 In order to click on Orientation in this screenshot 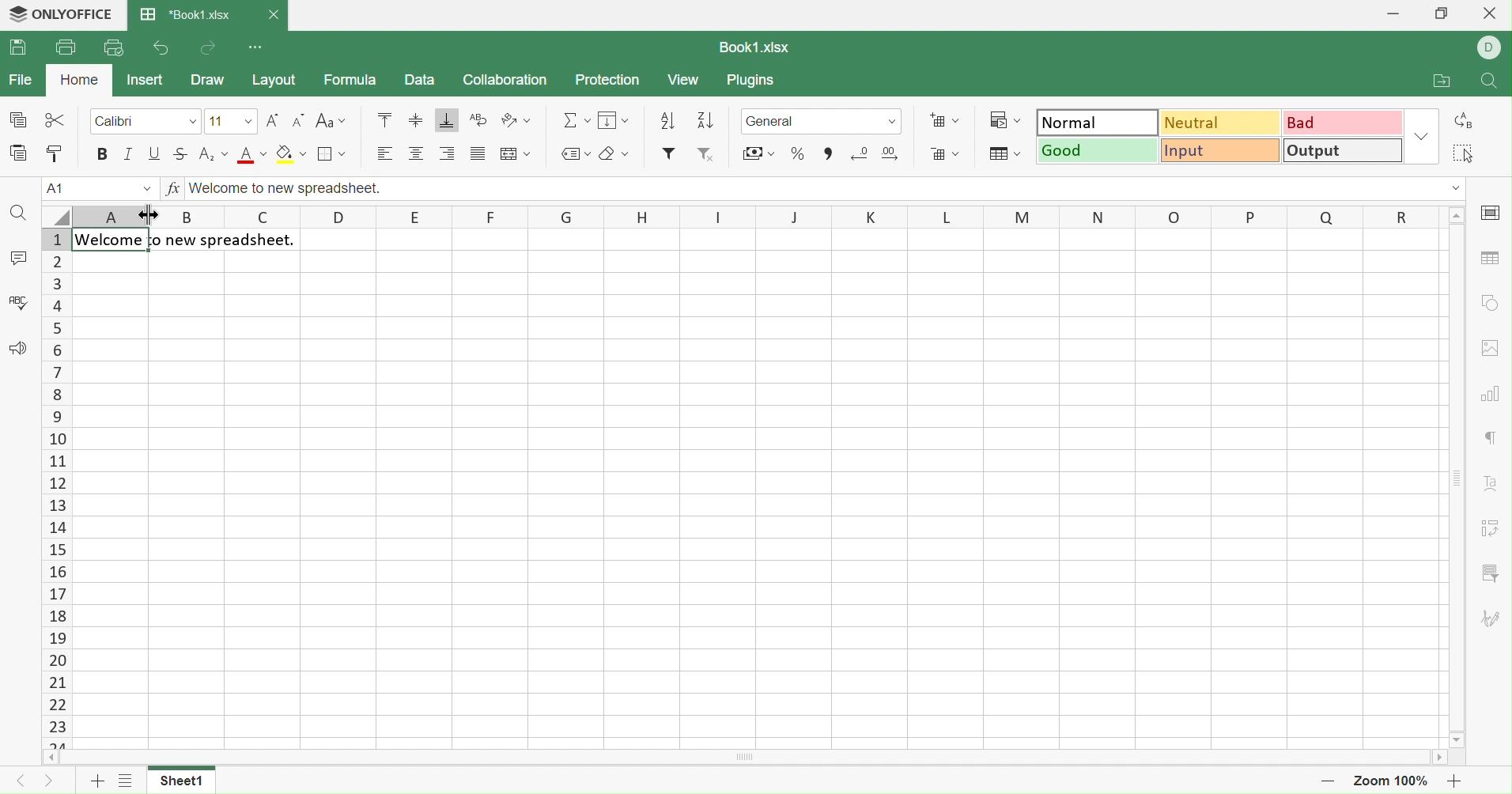, I will do `click(517, 120)`.